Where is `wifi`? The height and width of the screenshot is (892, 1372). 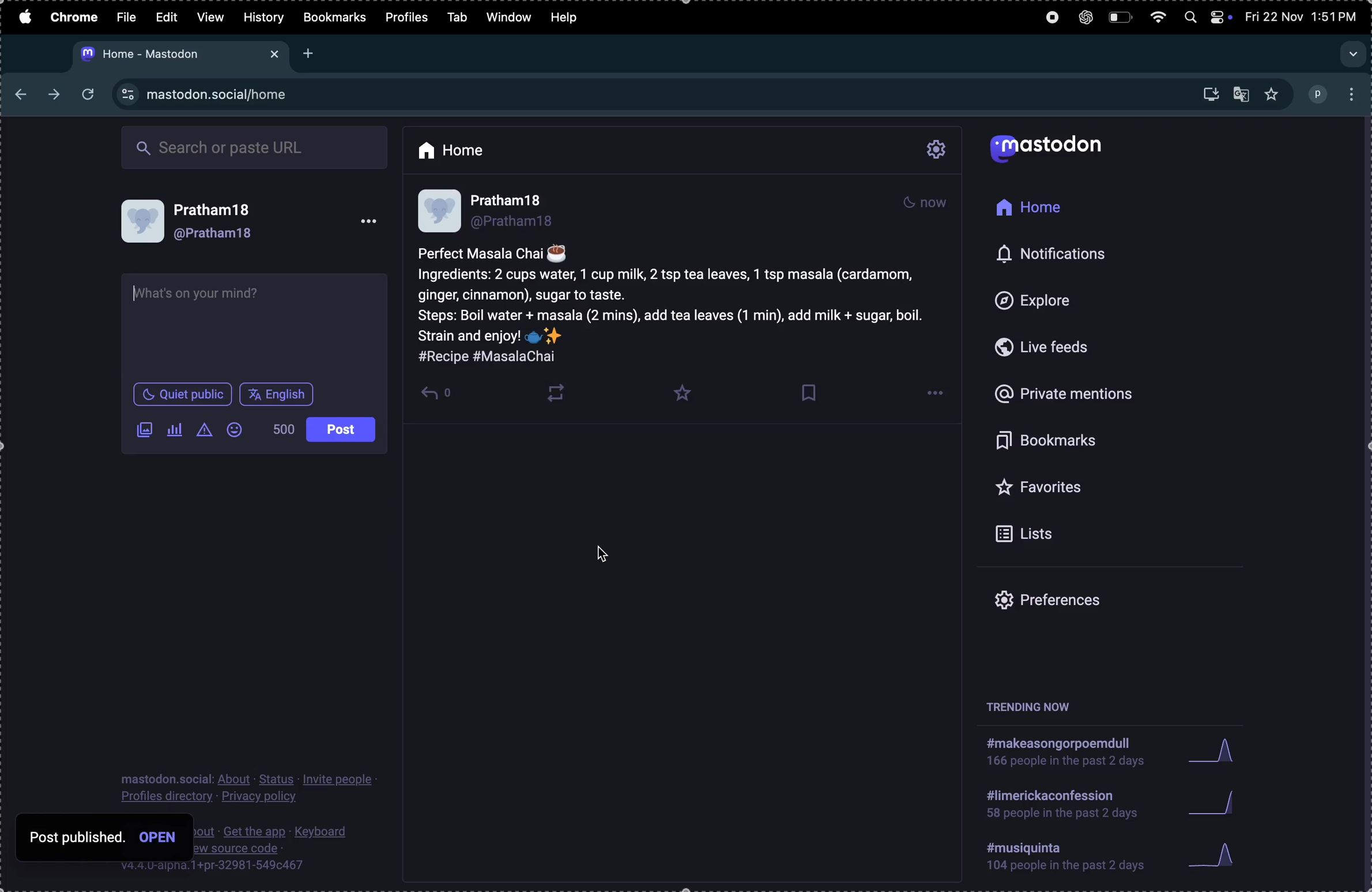 wifi is located at coordinates (1156, 17).